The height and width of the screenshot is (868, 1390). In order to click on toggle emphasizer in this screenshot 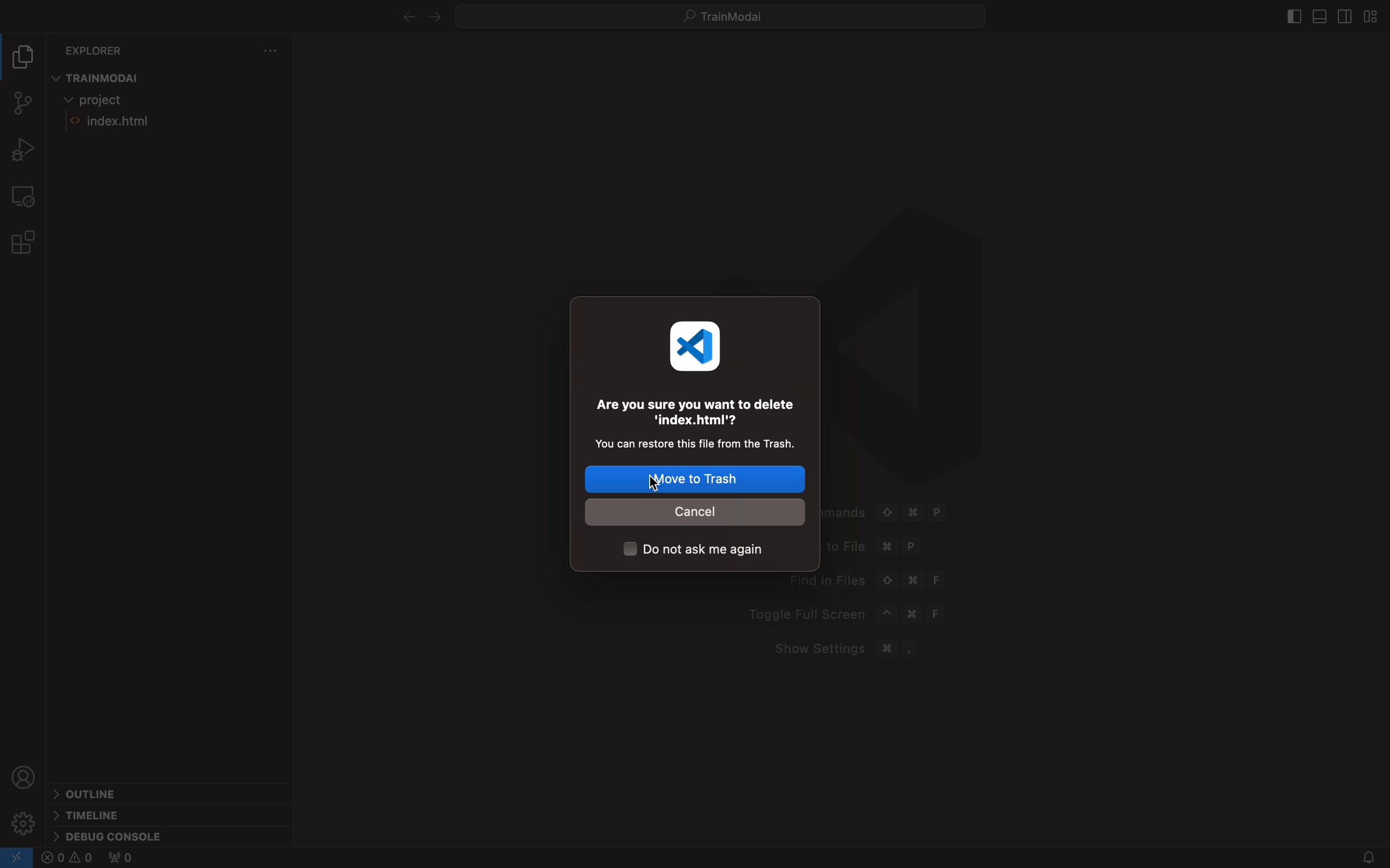, I will do `click(1373, 18)`.